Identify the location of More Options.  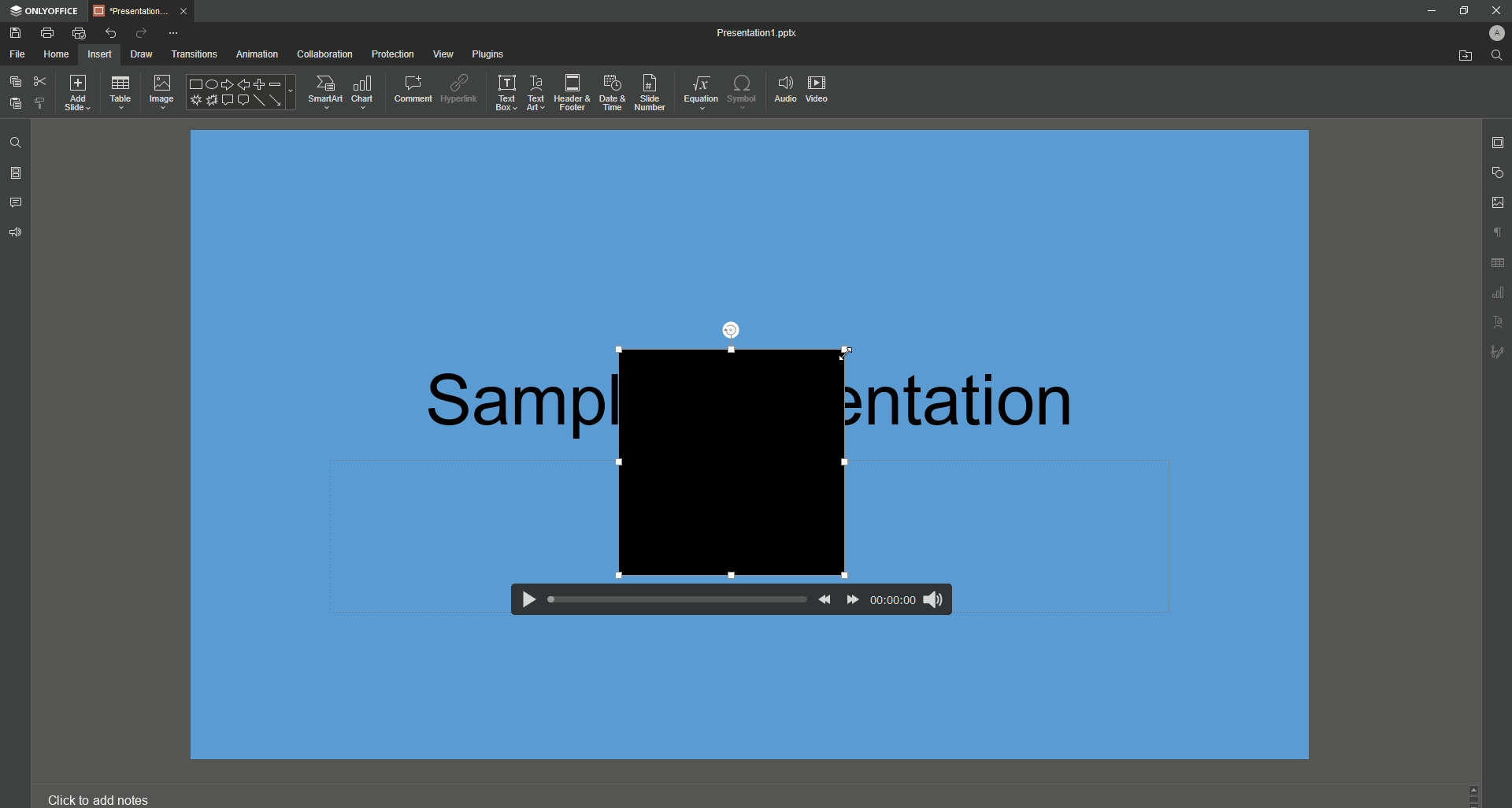
(177, 33).